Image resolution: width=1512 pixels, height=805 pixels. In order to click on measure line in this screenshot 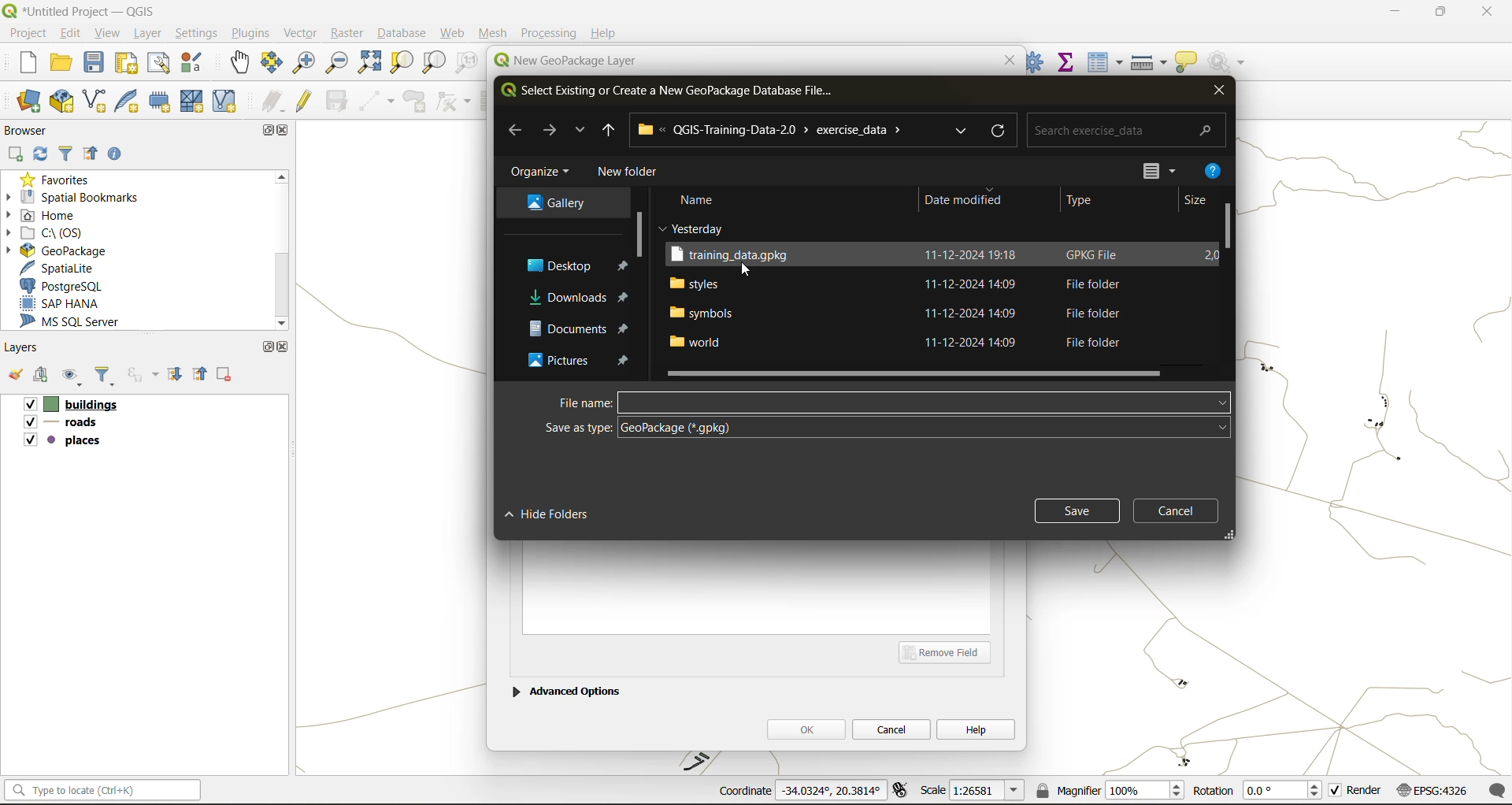, I will do `click(1151, 62)`.